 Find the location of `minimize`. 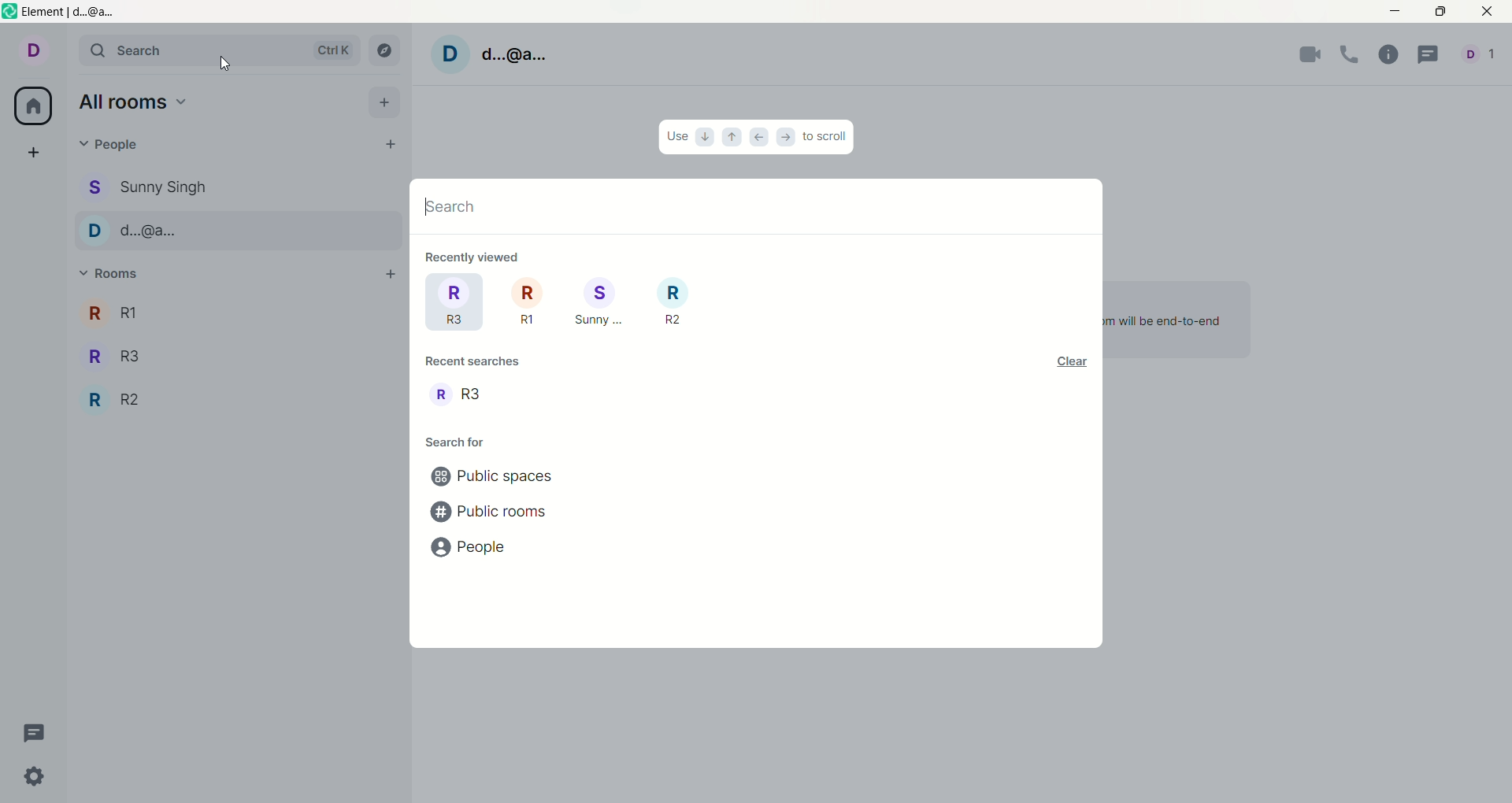

minimize is located at coordinates (1398, 9).